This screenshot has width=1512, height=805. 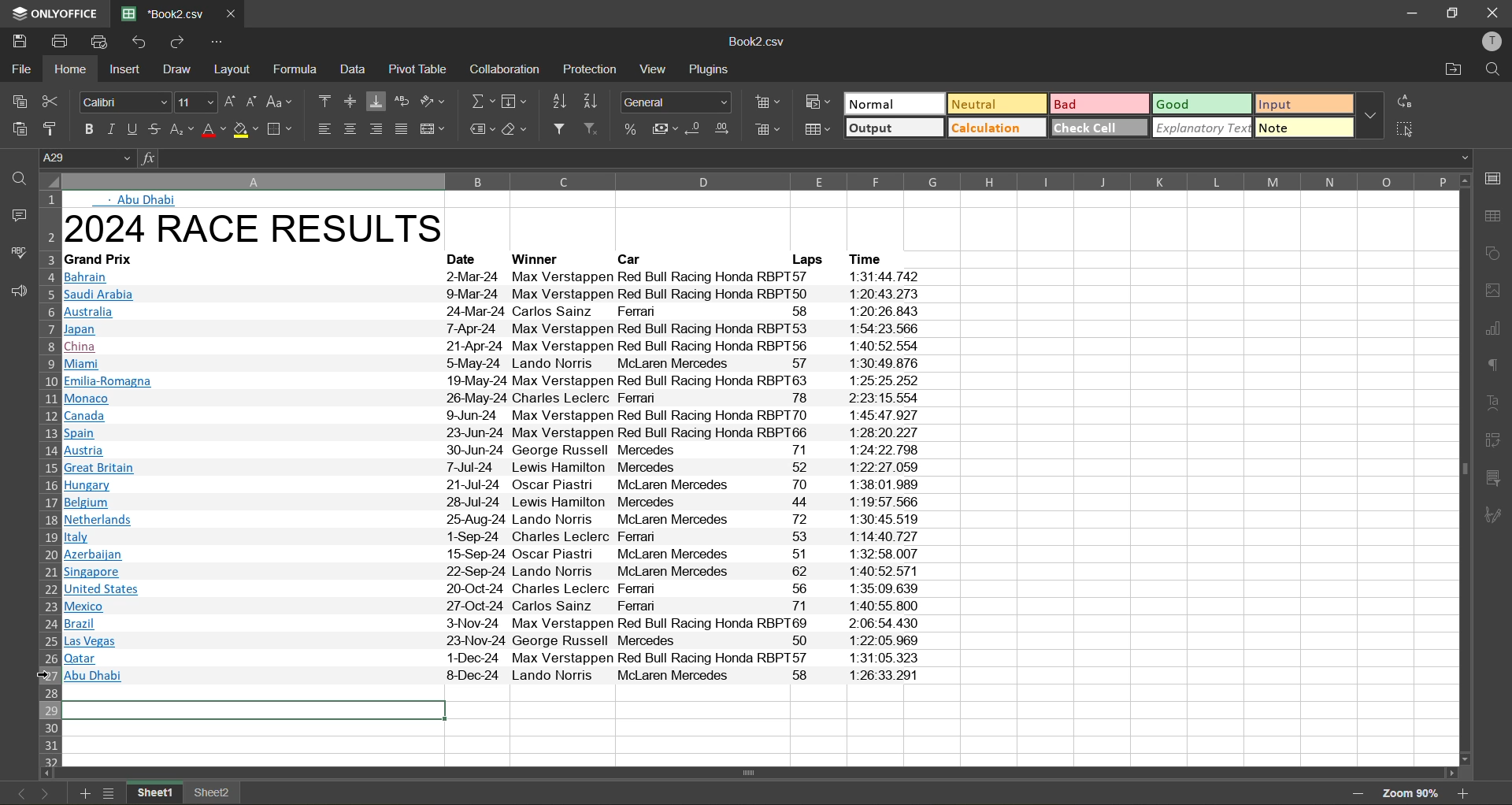 I want to click on comments, so click(x=16, y=213).